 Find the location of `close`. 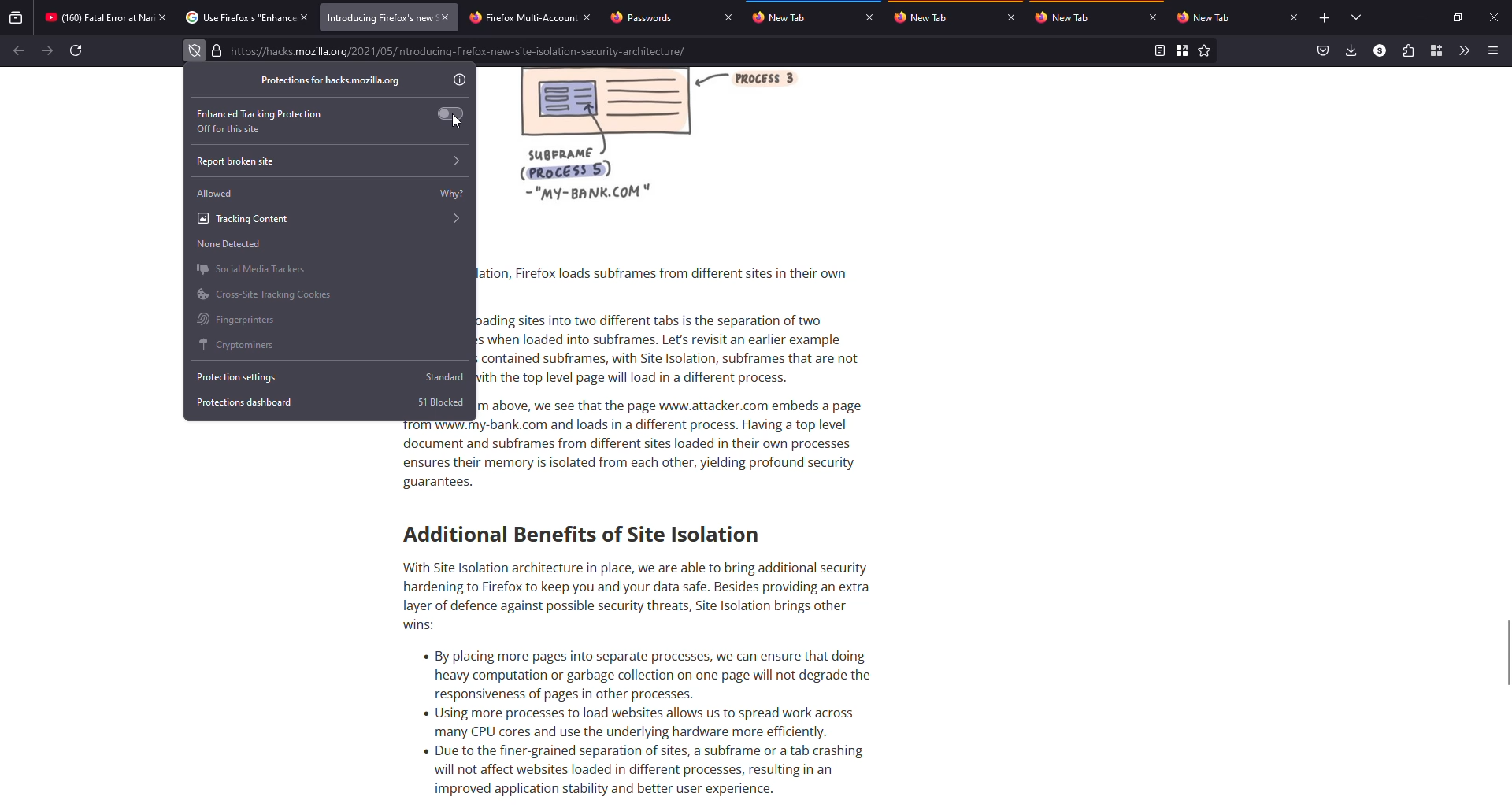

close is located at coordinates (1493, 17).